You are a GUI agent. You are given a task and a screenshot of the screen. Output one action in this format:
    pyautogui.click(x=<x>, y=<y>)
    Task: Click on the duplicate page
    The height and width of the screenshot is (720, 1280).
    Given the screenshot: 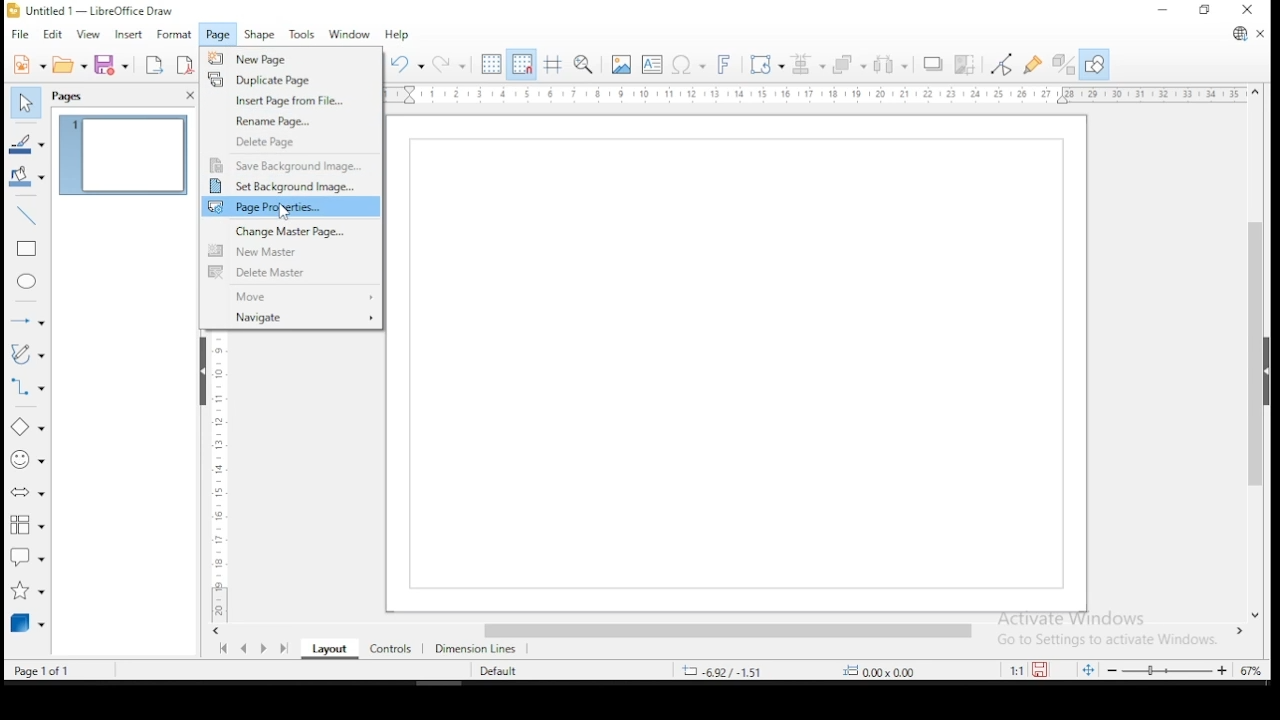 What is the action you would take?
    pyautogui.click(x=292, y=78)
    